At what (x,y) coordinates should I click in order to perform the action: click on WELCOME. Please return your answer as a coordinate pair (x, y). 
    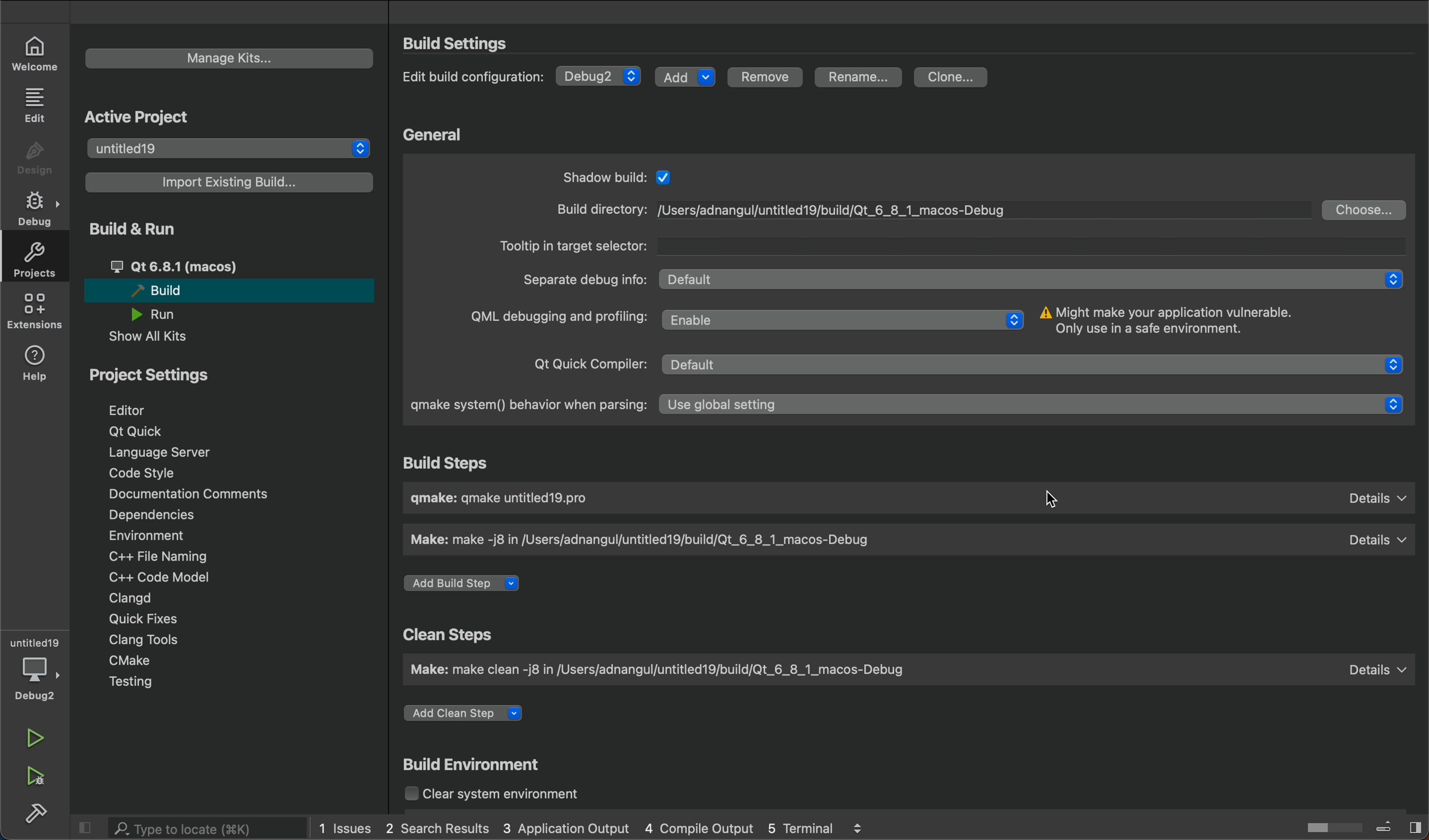
    Looking at the image, I should click on (36, 52).